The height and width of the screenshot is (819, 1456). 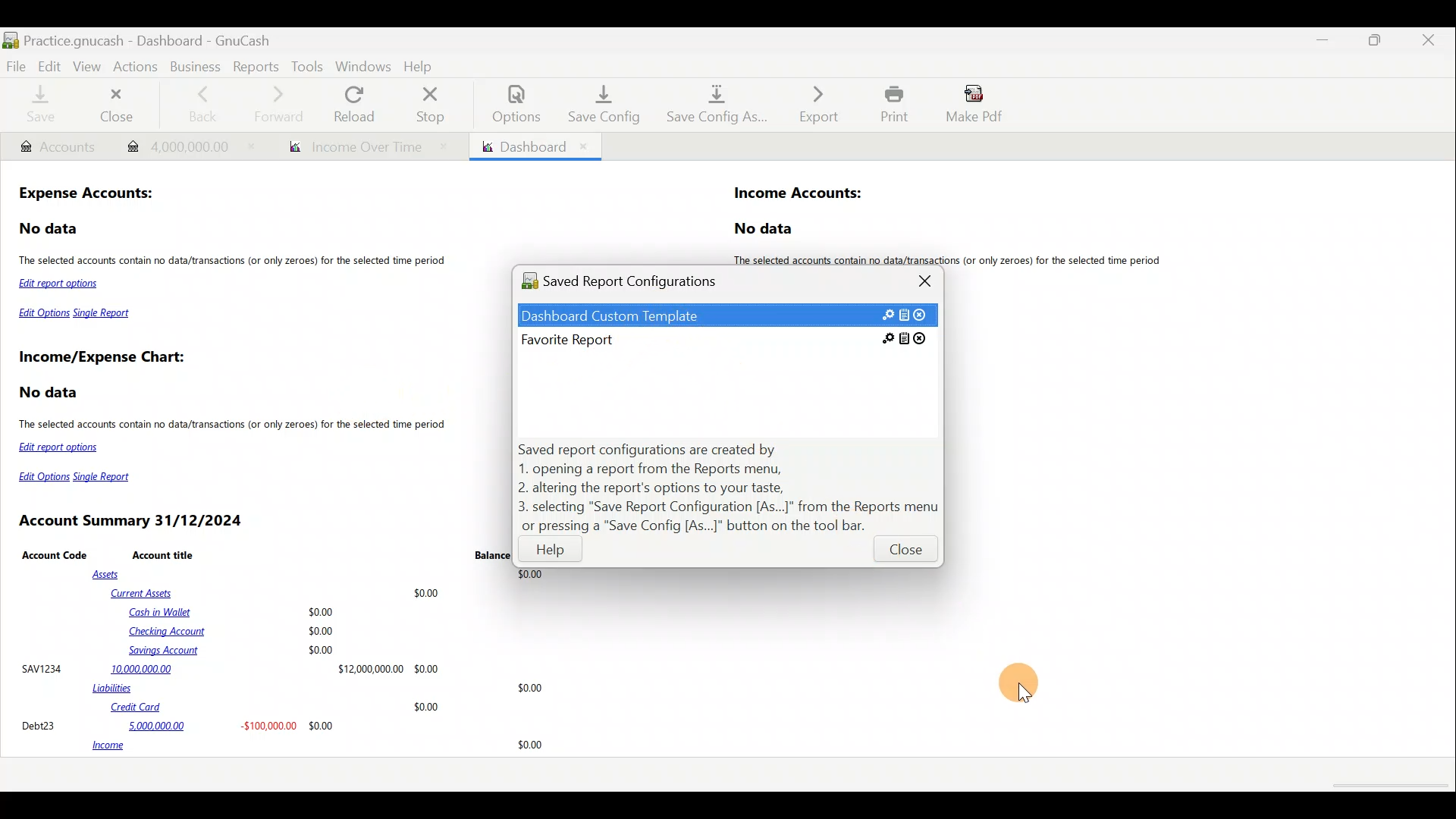 I want to click on Liabilities $0.00, so click(x=321, y=688).